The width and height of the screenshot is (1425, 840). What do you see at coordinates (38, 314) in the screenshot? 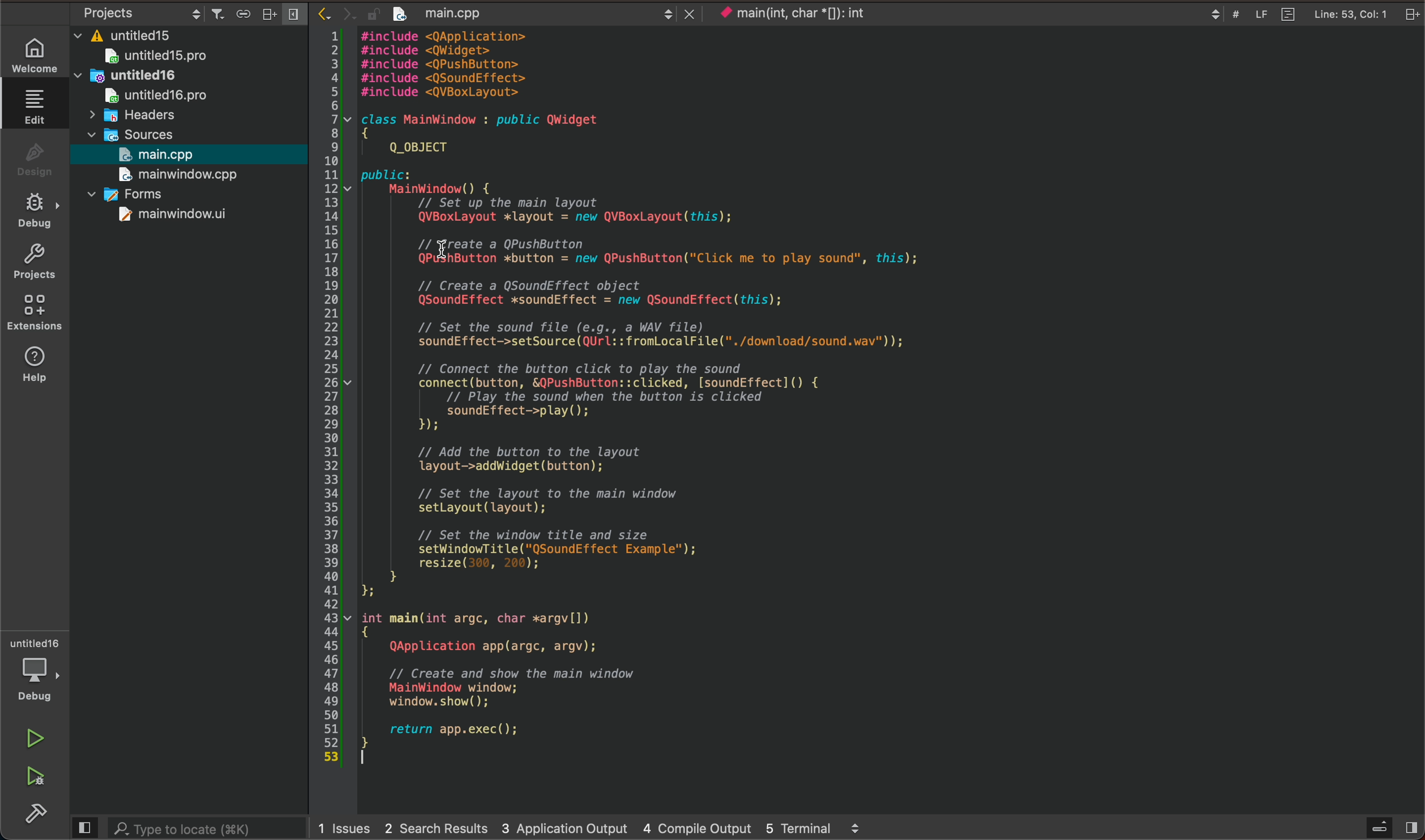
I see `Extension ` at bounding box center [38, 314].